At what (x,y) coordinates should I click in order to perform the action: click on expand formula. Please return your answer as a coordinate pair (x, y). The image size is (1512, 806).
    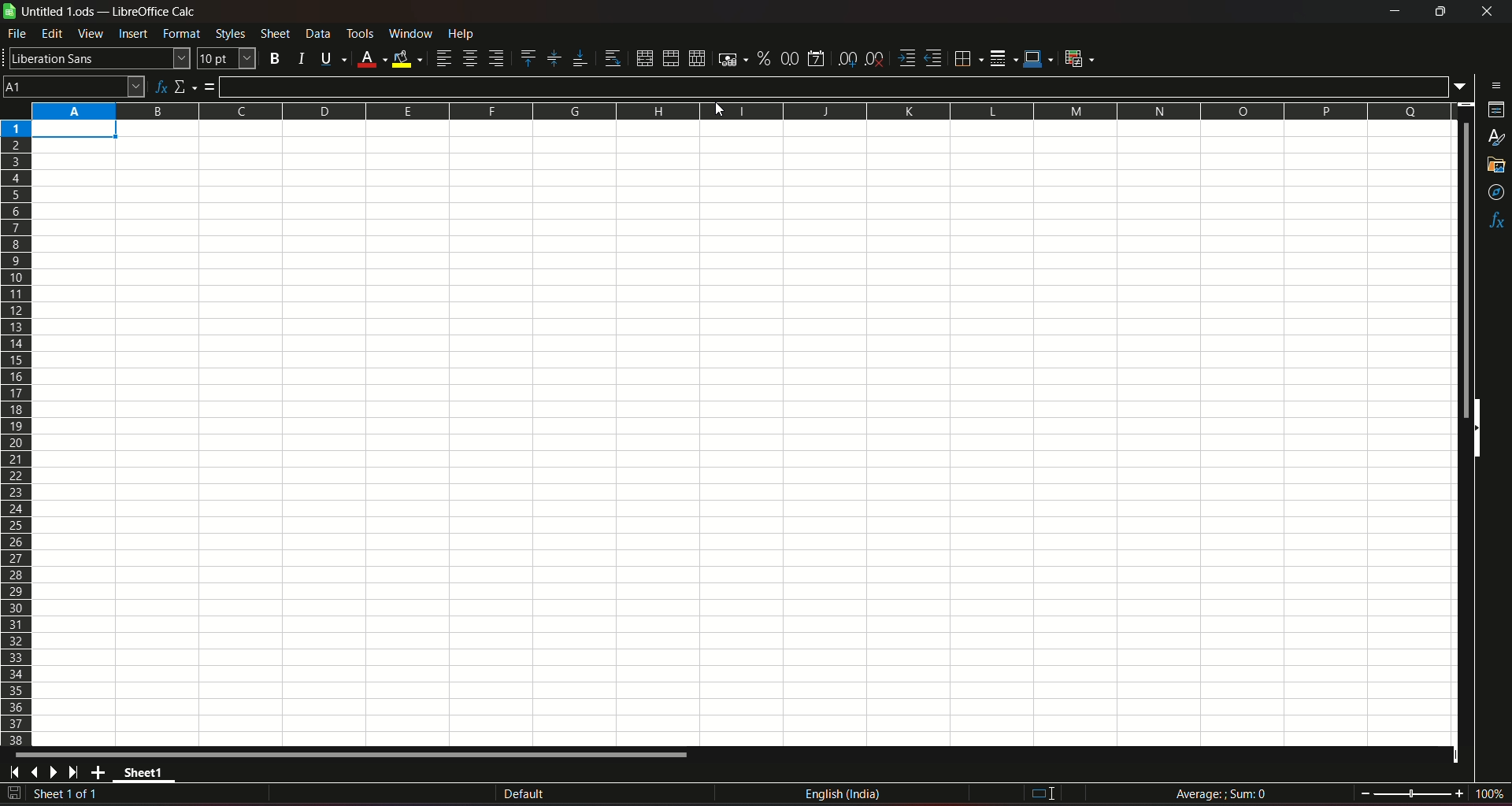
    Looking at the image, I should click on (1462, 87).